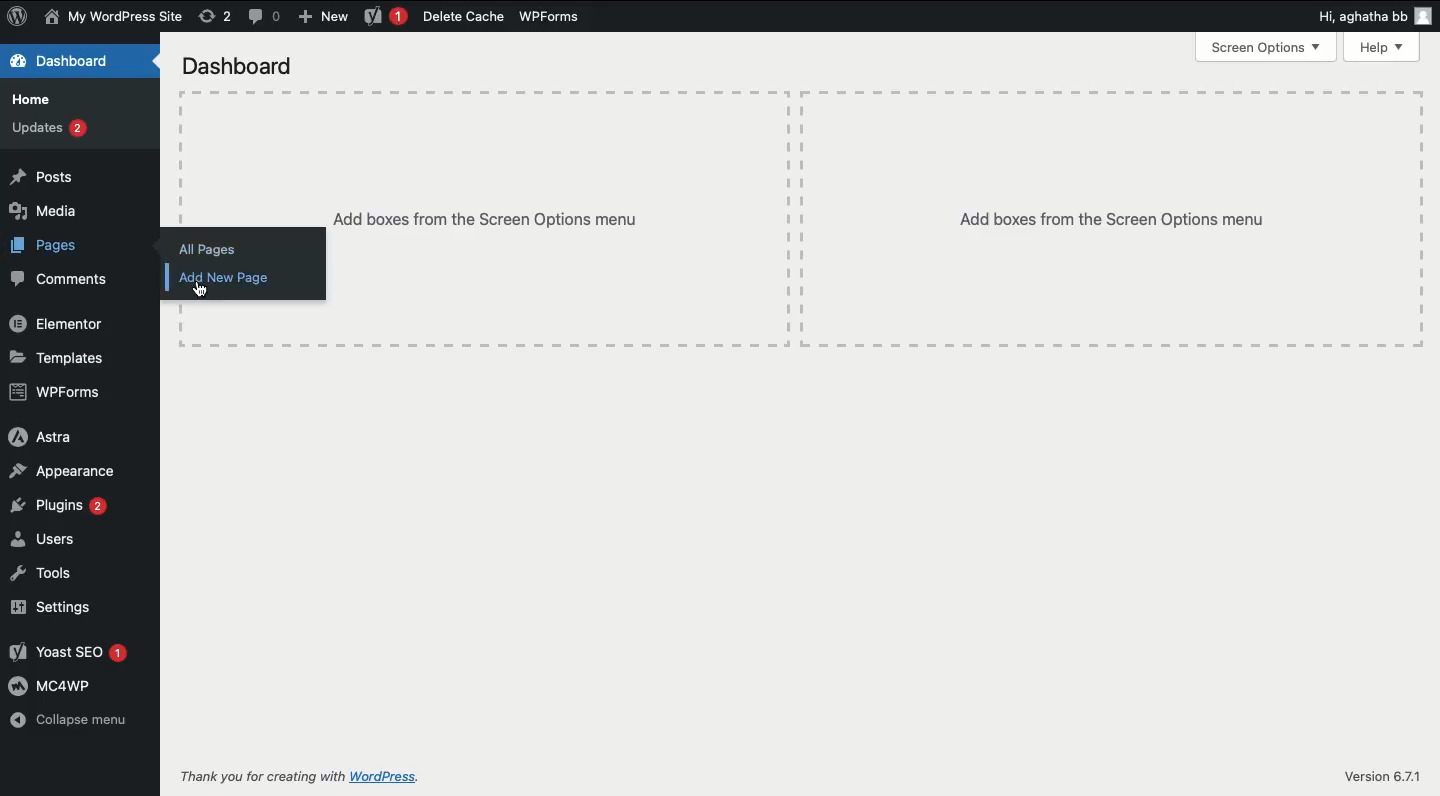 The image size is (1440, 796). I want to click on New, so click(325, 18).